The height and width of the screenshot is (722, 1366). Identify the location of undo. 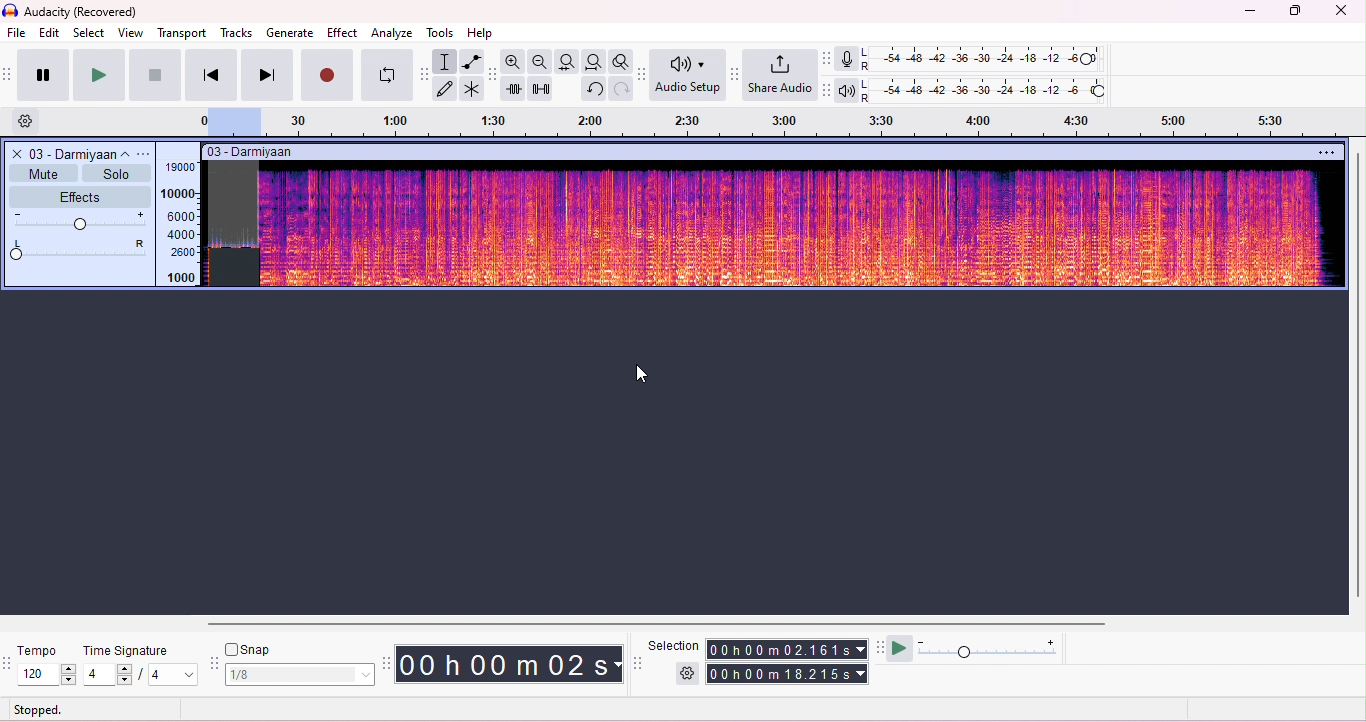
(593, 88).